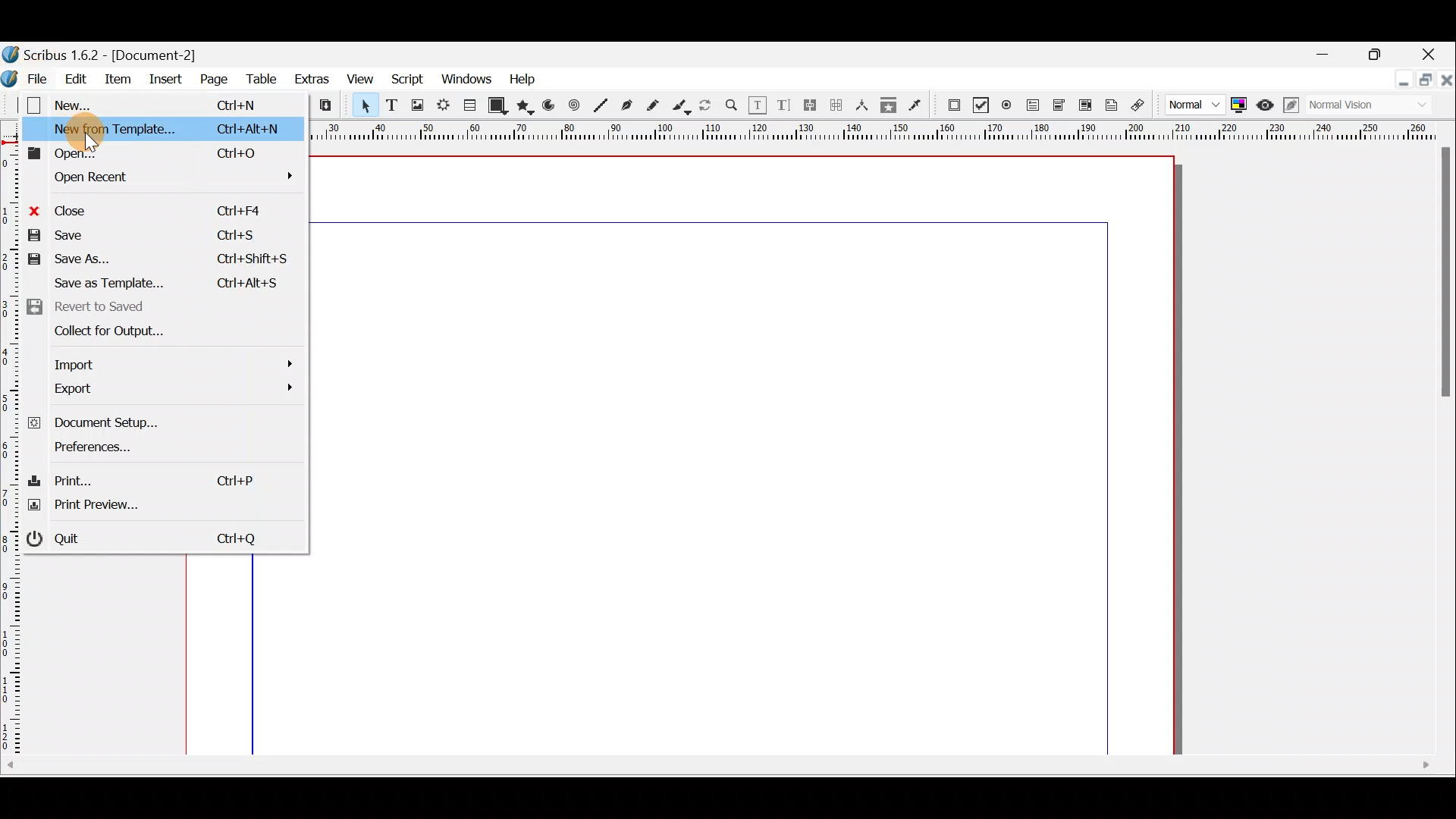  I want to click on Import, so click(163, 362).